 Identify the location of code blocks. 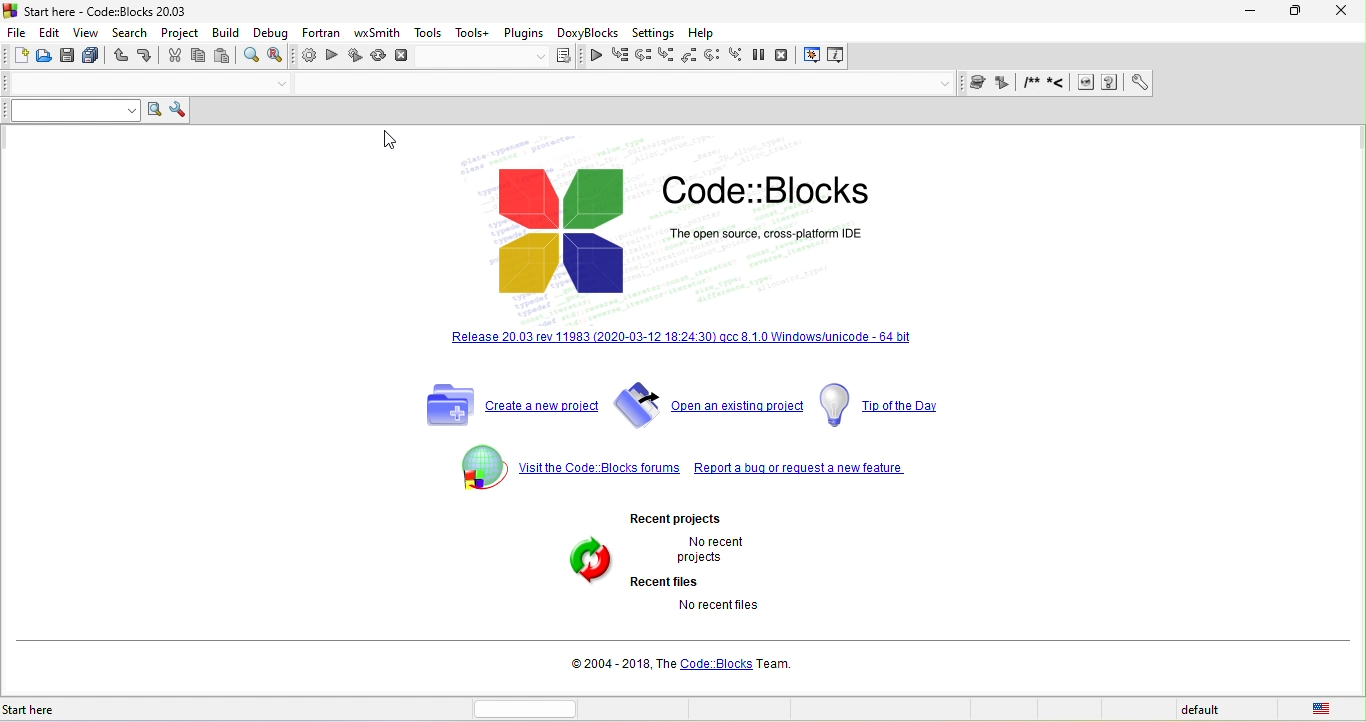
(561, 230).